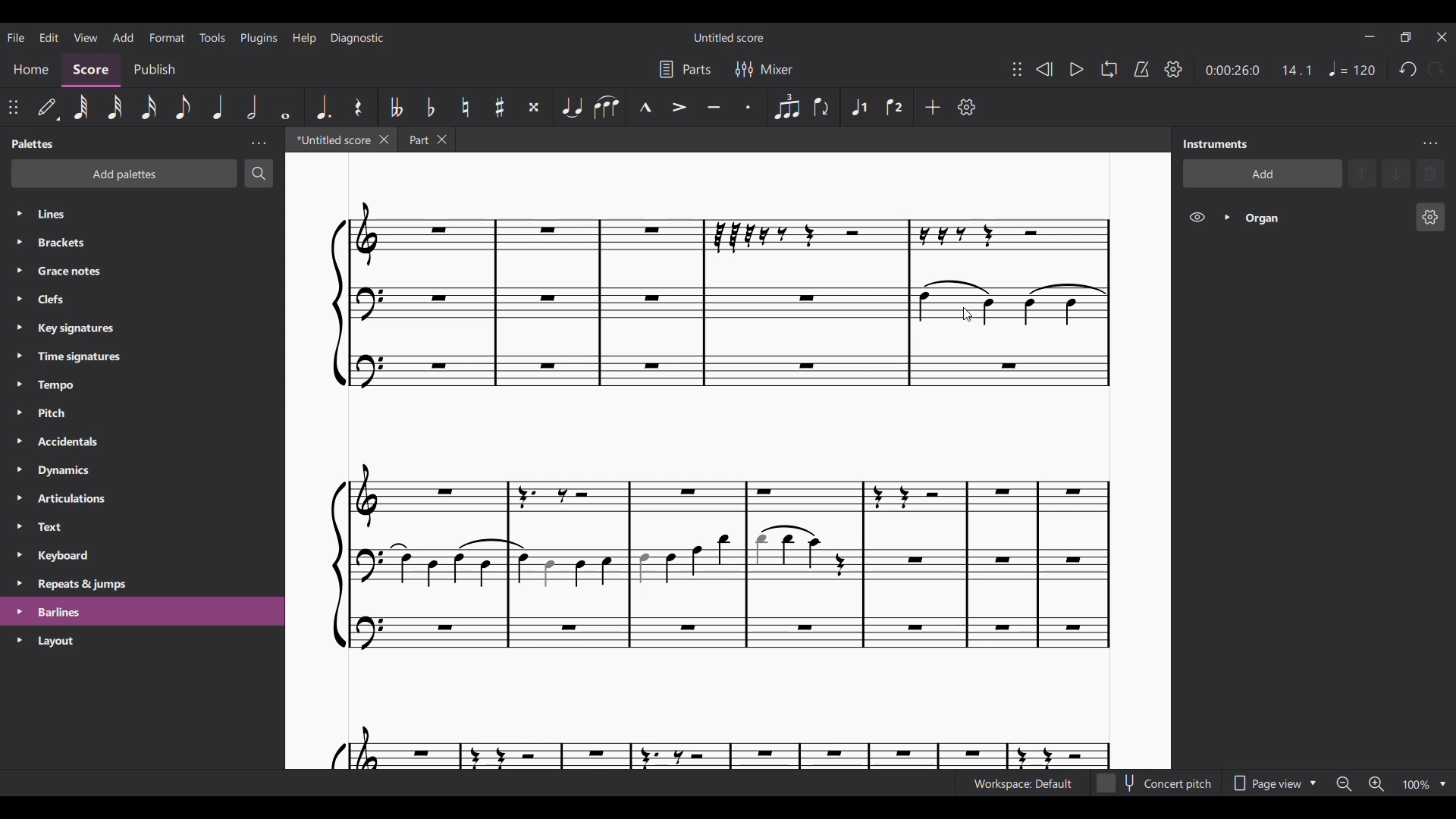 The width and height of the screenshot is (1456, 819). Describe the element at coordinates (258, 174) in the screenshot. I see `Search` at that location.